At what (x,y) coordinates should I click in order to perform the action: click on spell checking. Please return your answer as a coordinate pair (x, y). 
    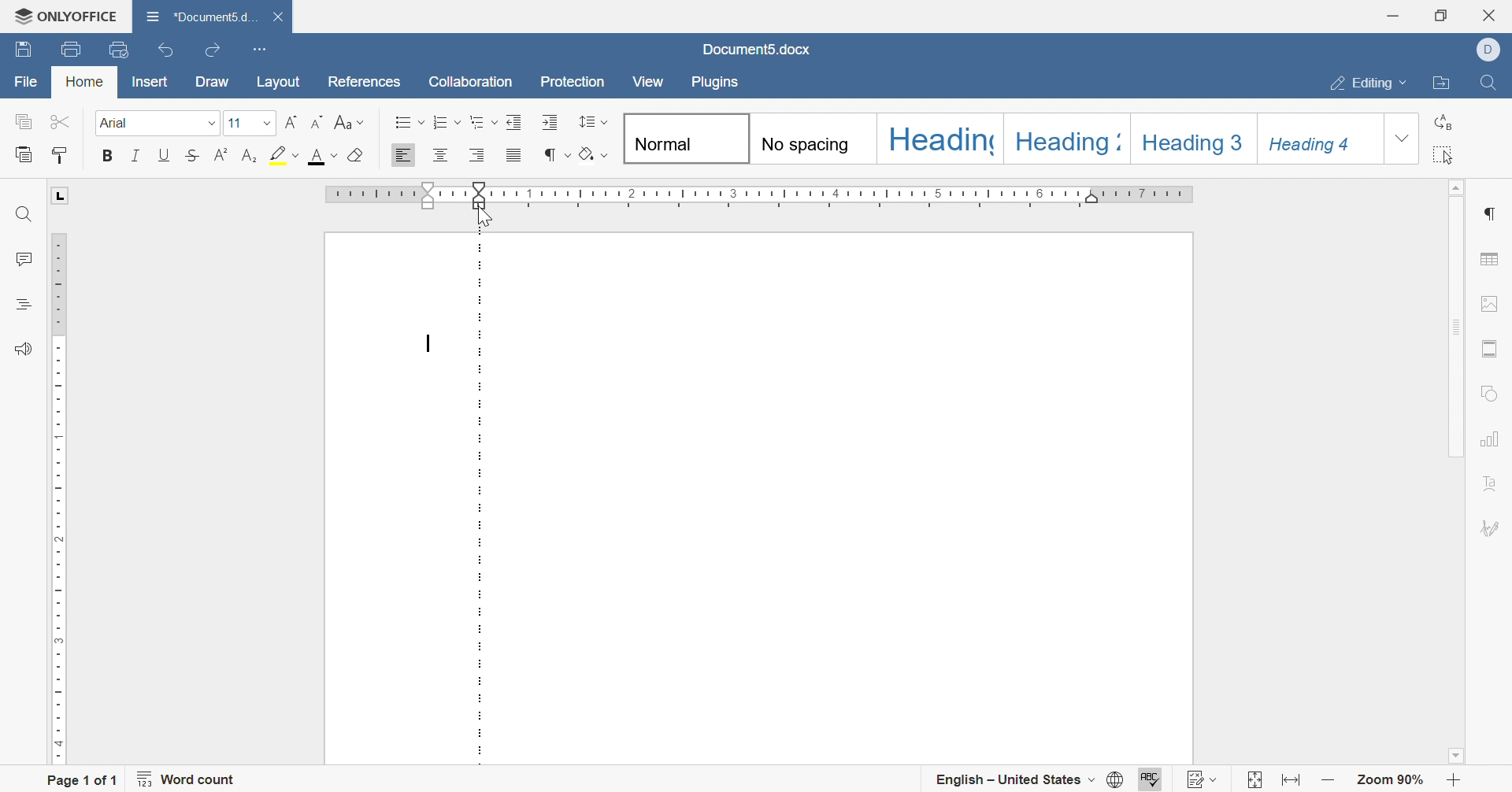
    Looking at the image, I should click on (1155, 779).